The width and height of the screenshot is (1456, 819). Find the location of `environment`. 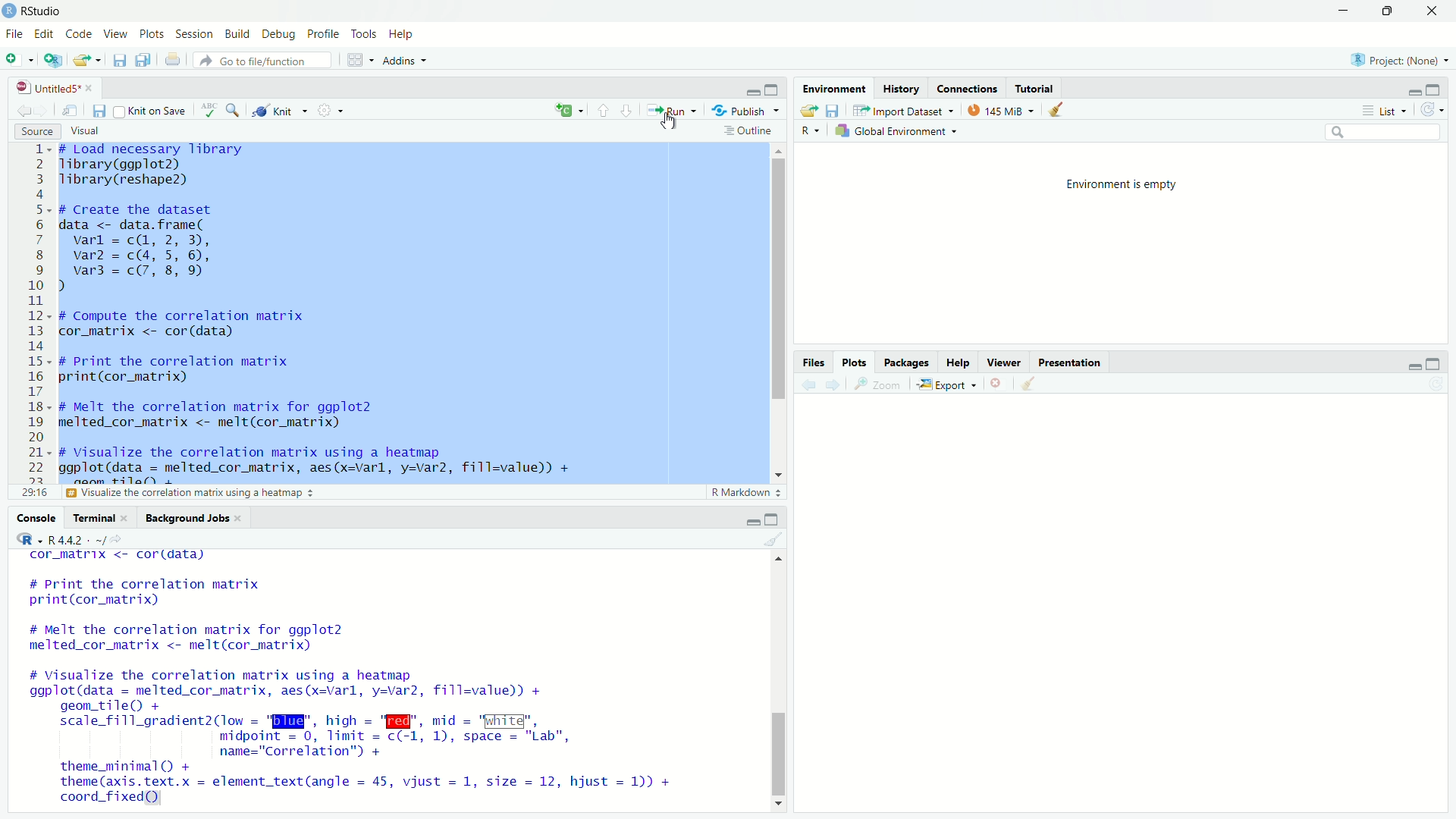

environment is located at coordinates (836, 88).